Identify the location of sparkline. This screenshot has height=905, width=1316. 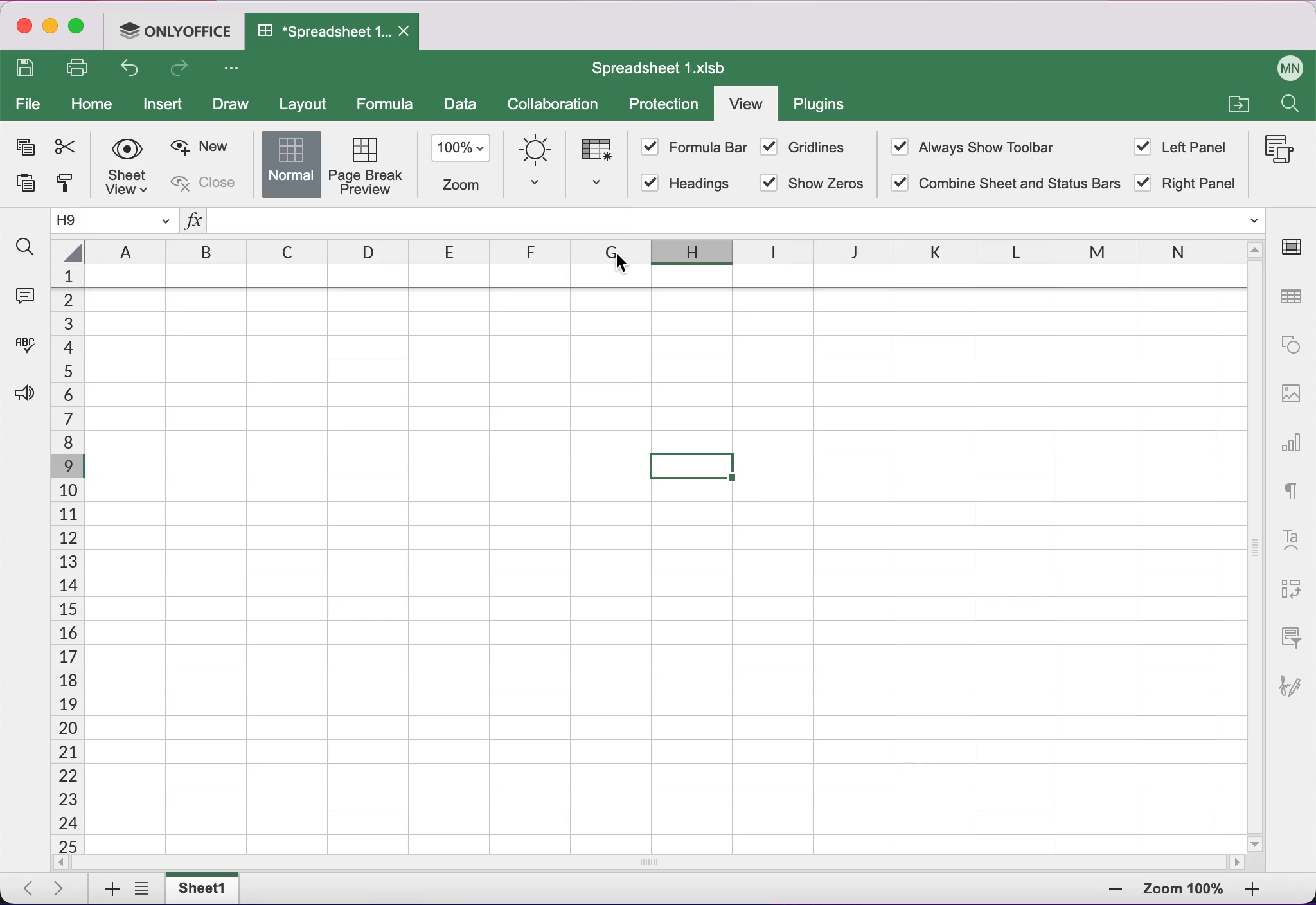
(604, 167).